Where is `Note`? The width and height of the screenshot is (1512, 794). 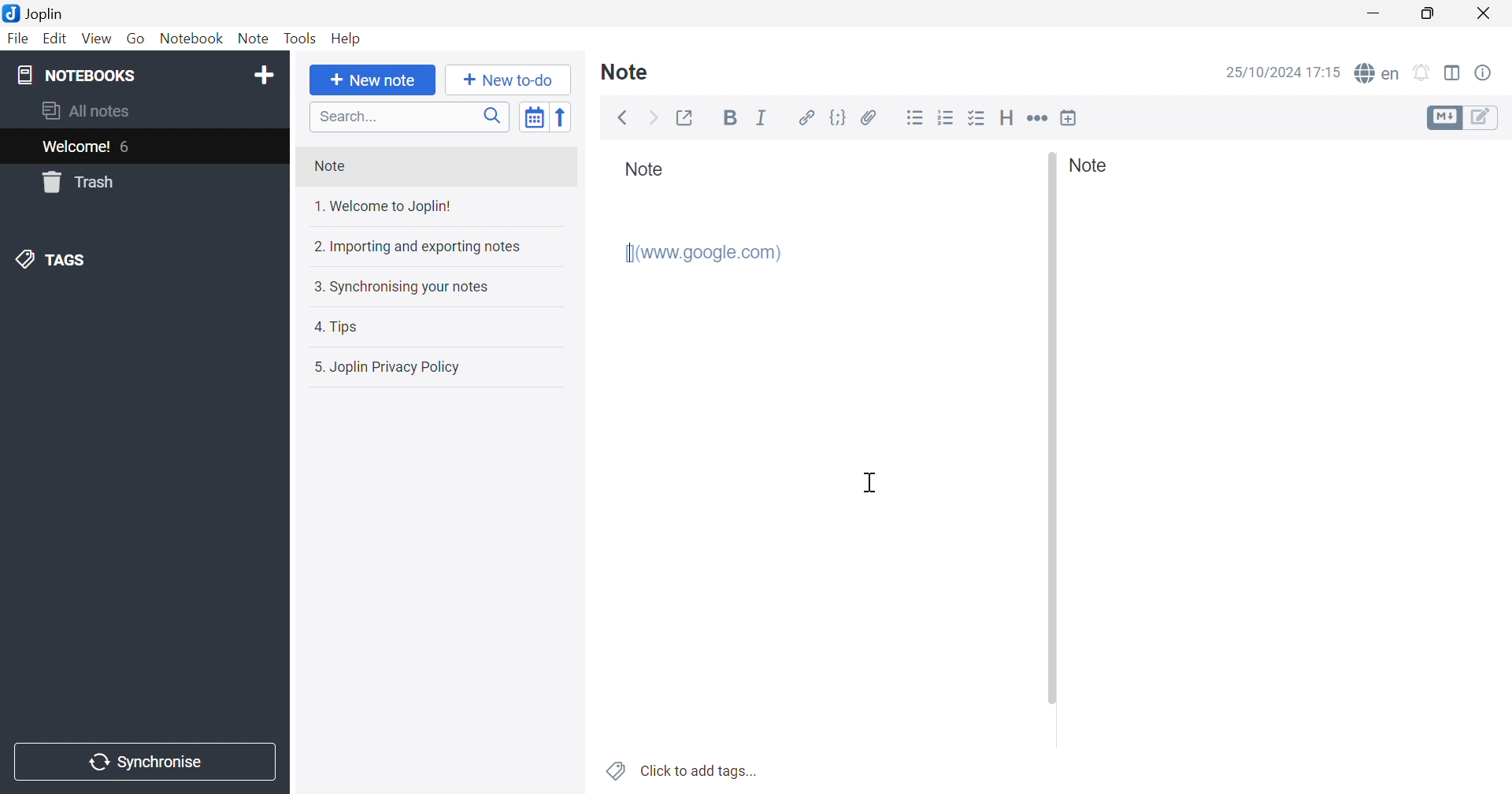
Note is located at coordinates (645, 173).